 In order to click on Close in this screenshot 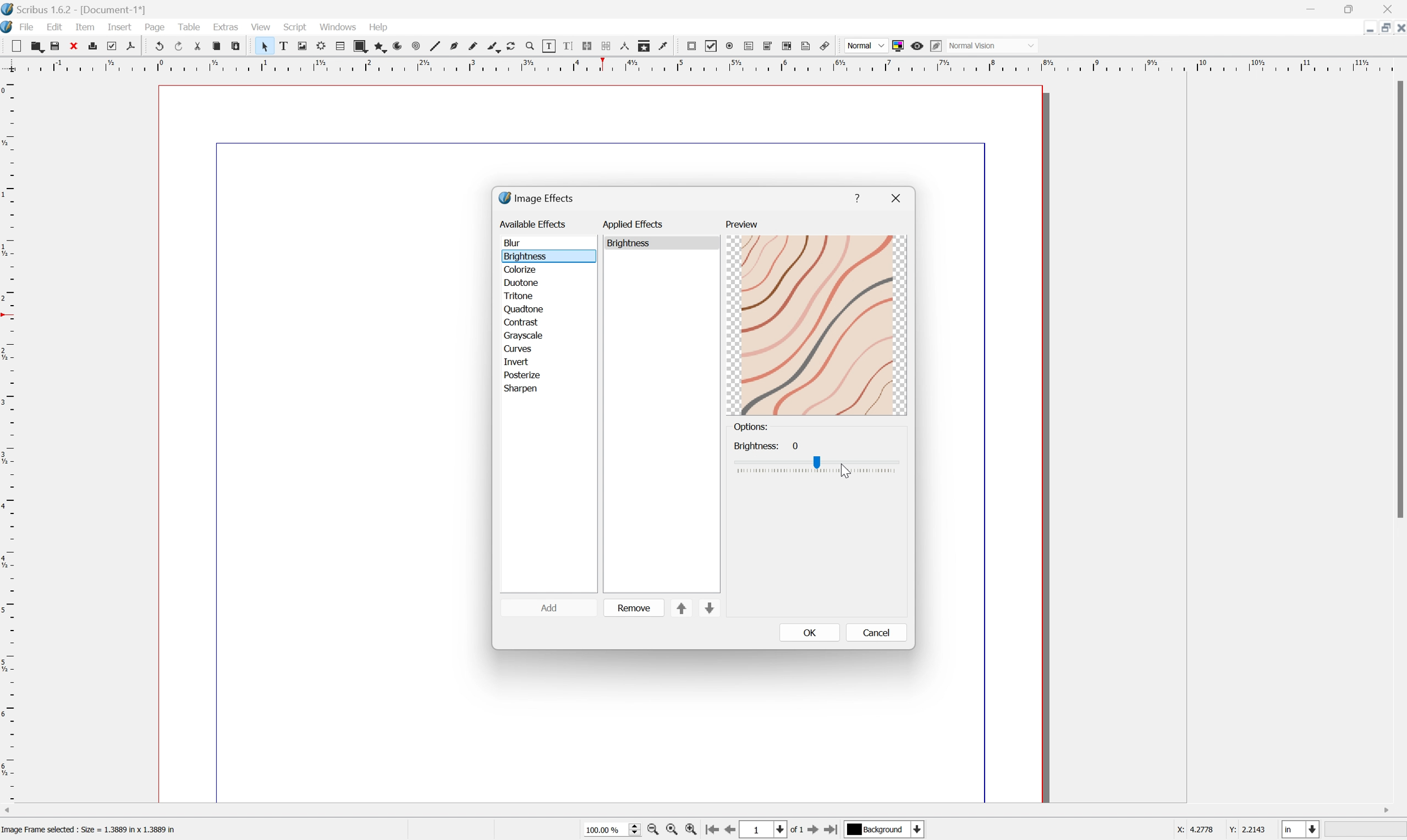, I will do `click(75, 46)`.